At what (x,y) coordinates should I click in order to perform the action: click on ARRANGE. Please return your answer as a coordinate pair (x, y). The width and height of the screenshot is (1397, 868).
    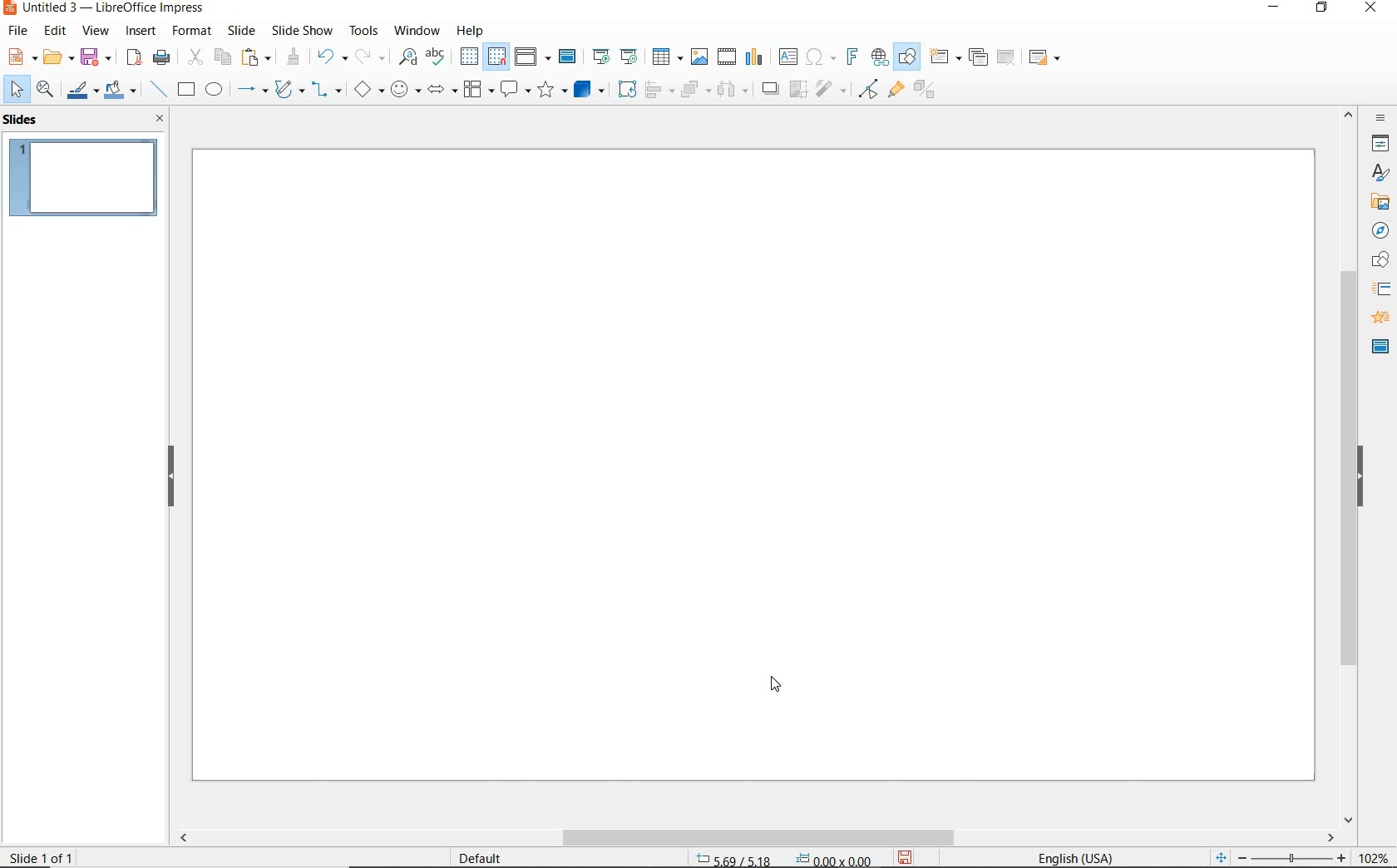
    Looking at the image, I should click on (693, 91).